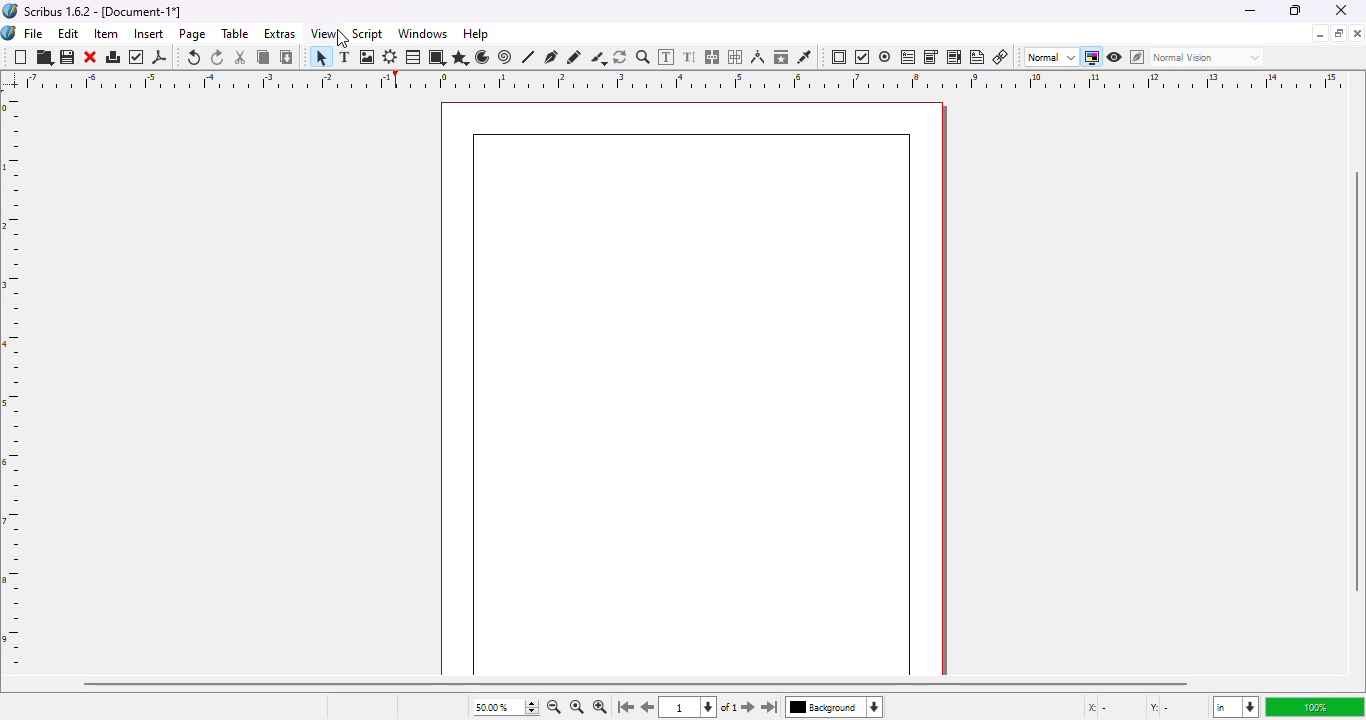 Image resolution: width=1366 pixels, height=720 pixels. I want to click on 50.00%, so click(487, 707).